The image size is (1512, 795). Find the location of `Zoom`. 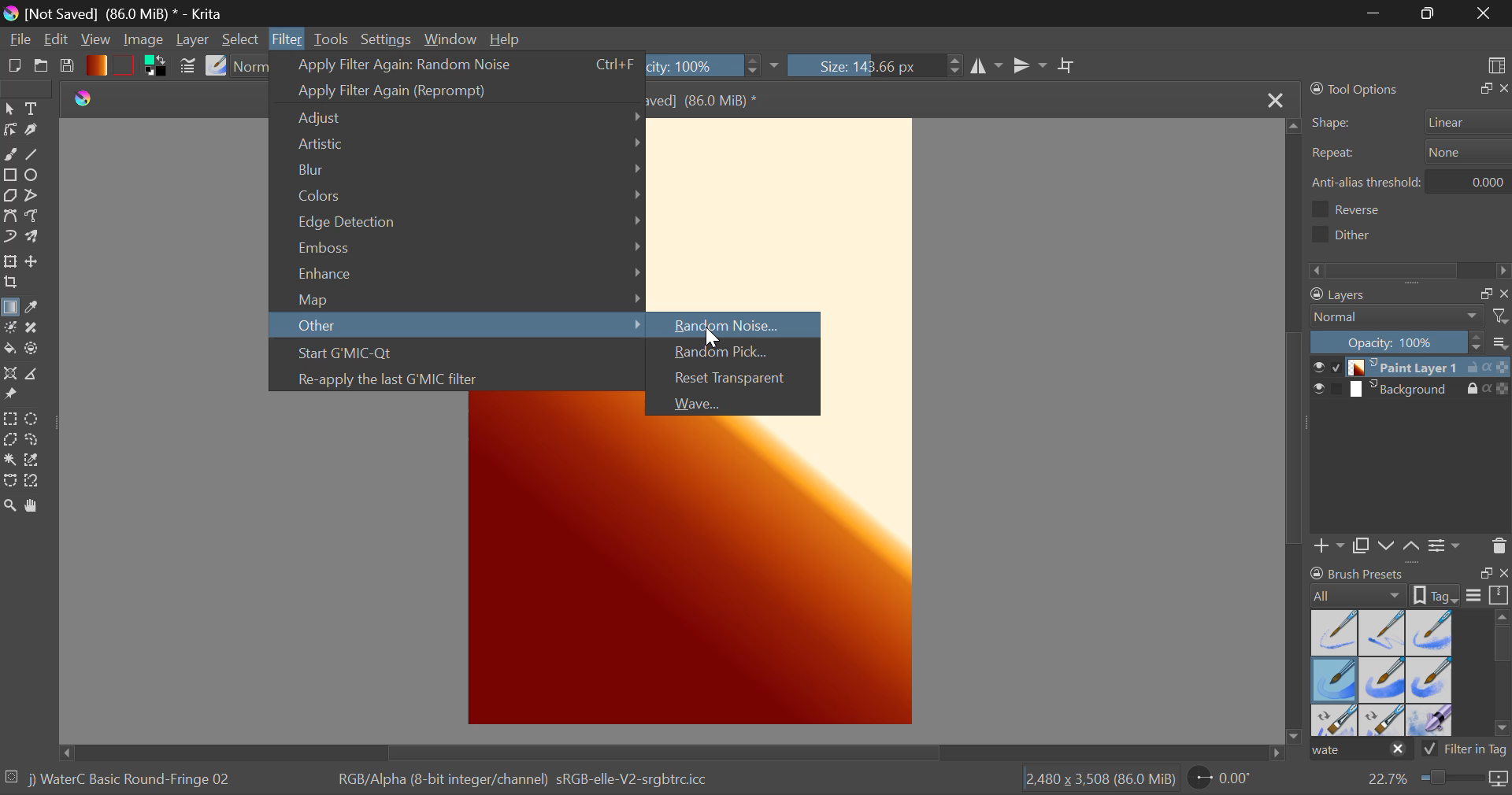

Zoom is located at coordinates (10, 506).